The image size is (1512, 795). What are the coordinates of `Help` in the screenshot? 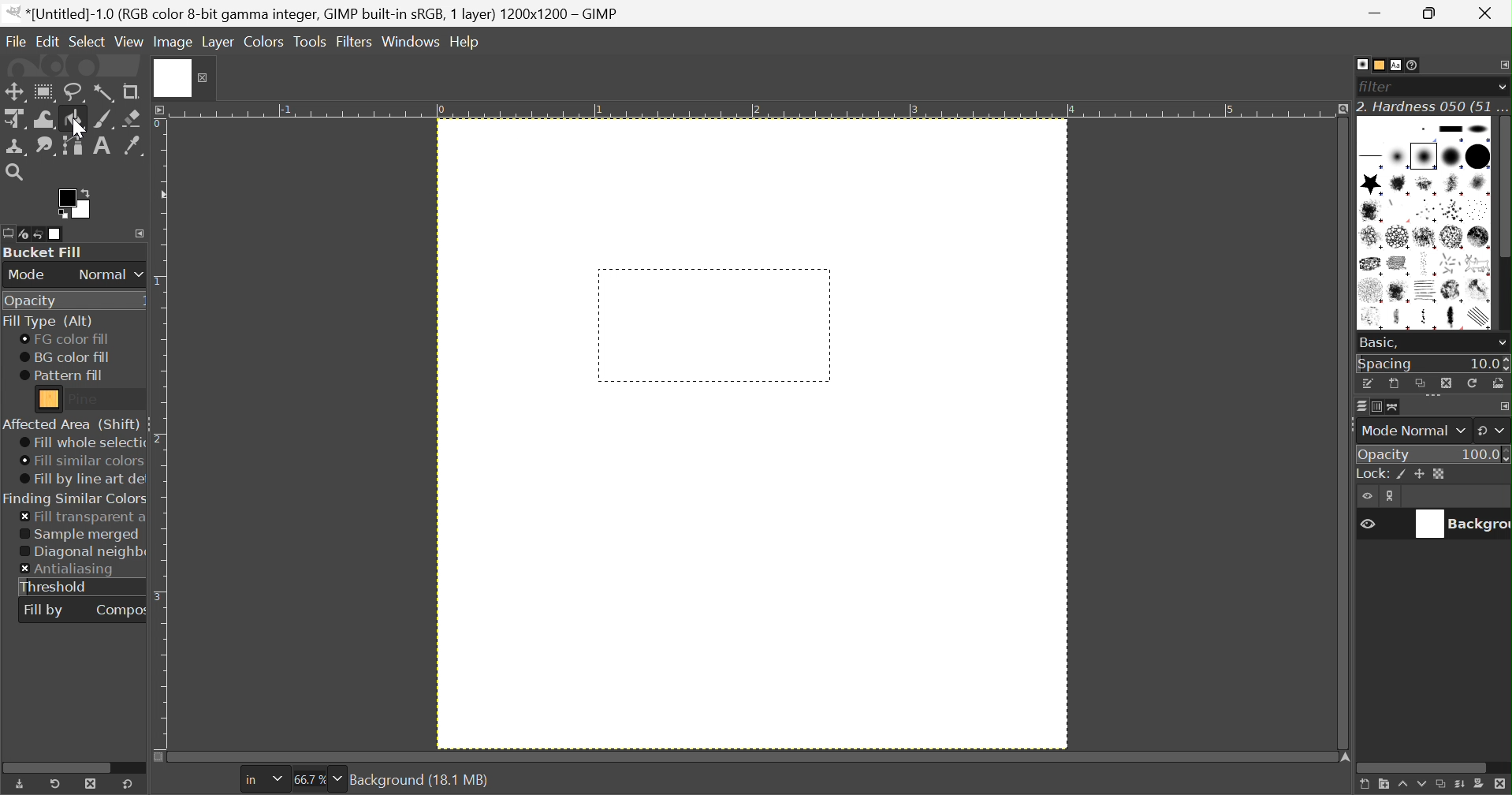 It's located at (466, 42).